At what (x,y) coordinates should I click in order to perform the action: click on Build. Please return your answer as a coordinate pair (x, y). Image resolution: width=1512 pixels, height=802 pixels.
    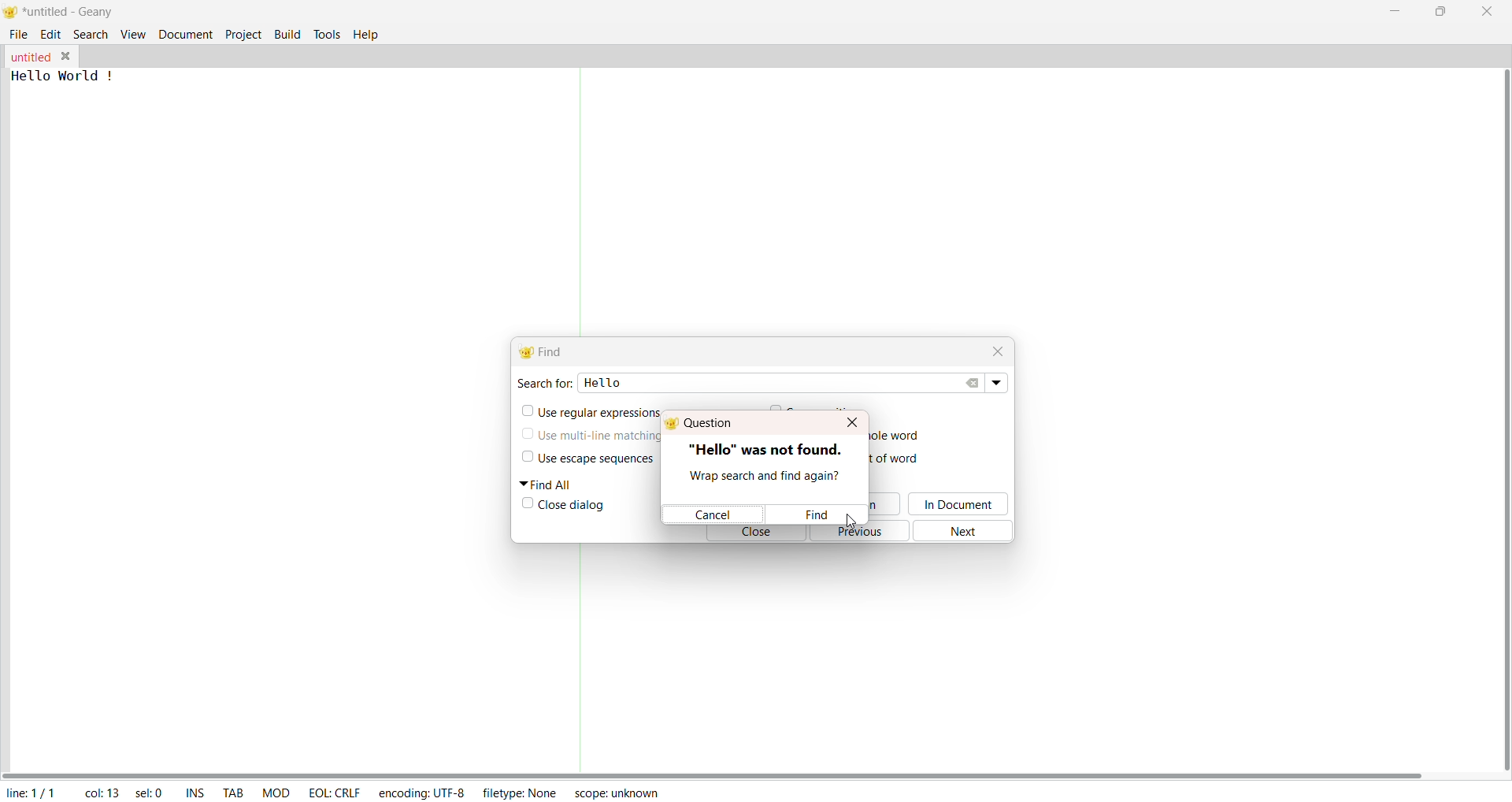
    Looking at the image, I should click on (287, 33).